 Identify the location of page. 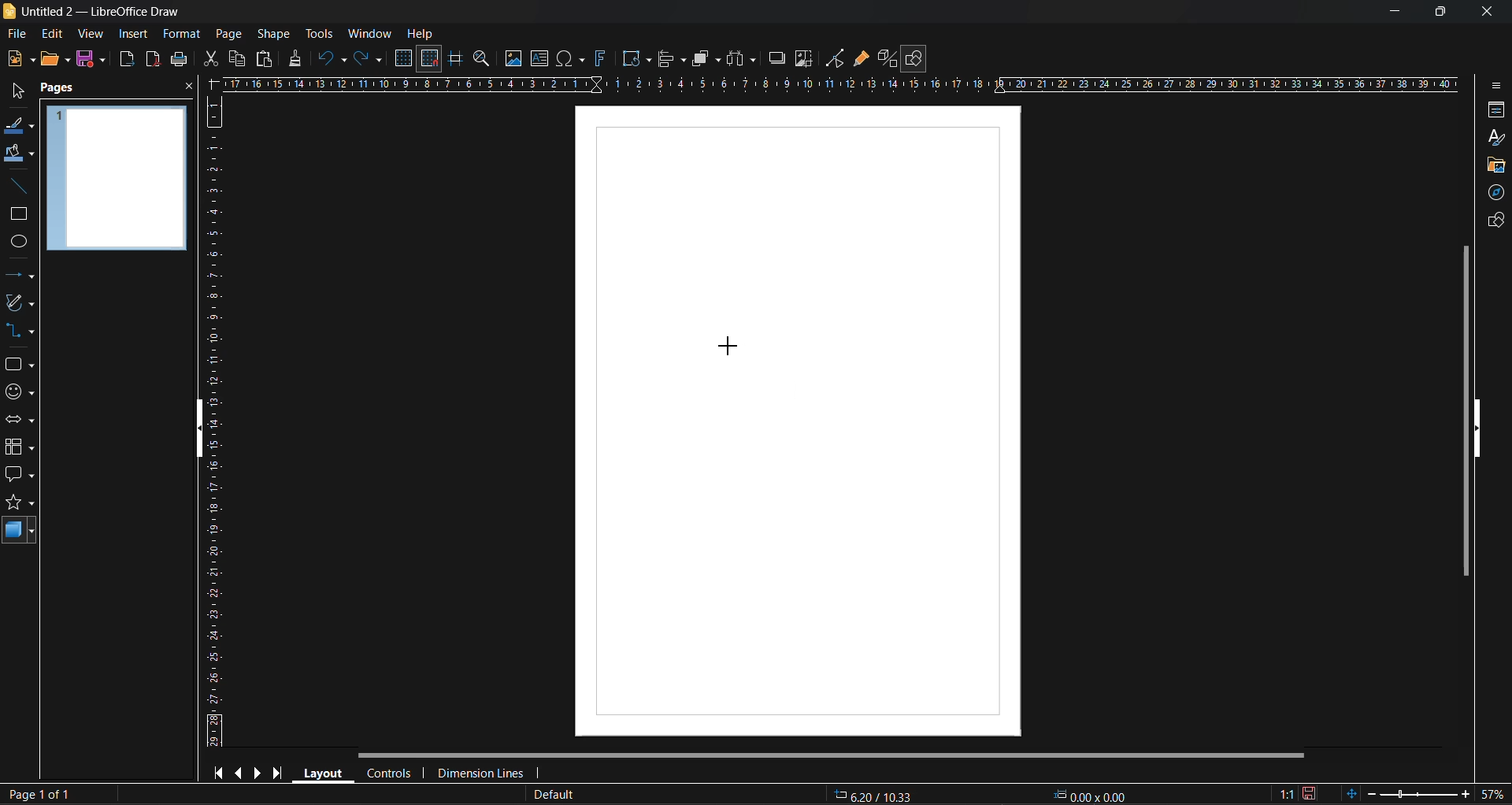
(228, 33).